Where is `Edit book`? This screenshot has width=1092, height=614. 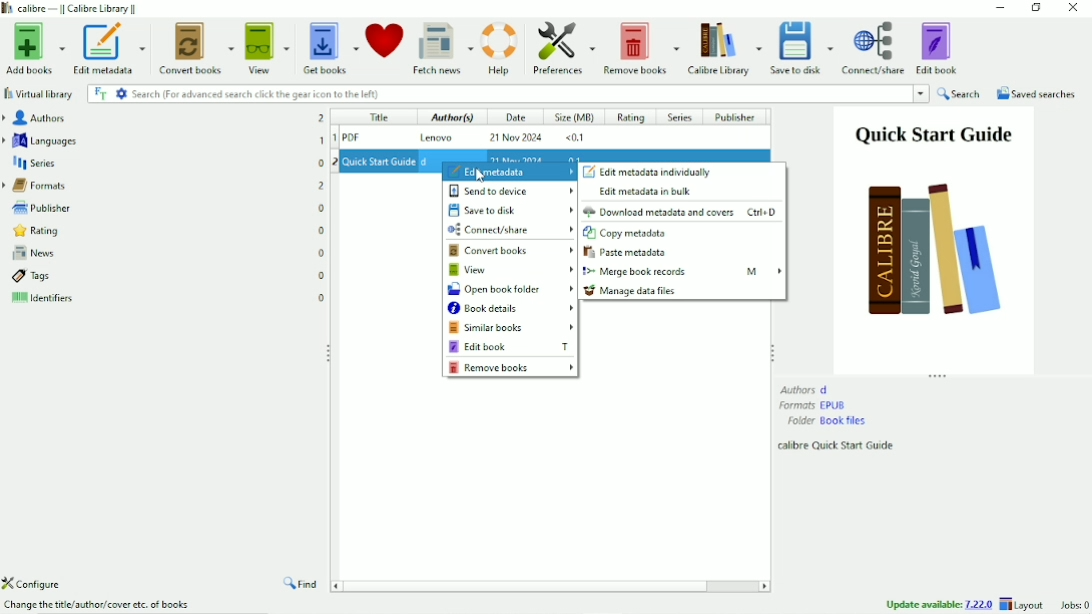 Edit book is located at coordinates (510, 346).